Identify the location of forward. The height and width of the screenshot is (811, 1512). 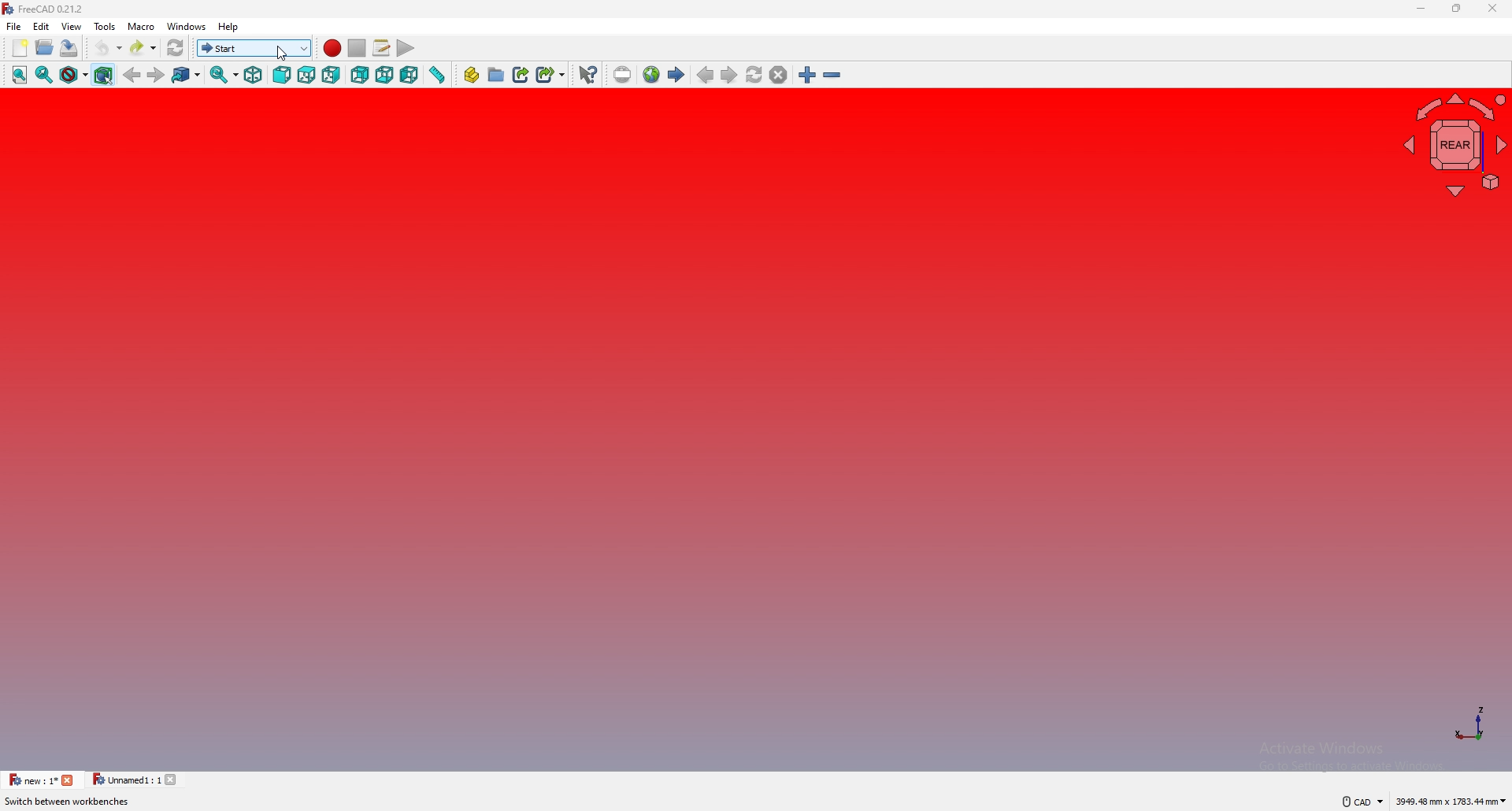
(157, 74).